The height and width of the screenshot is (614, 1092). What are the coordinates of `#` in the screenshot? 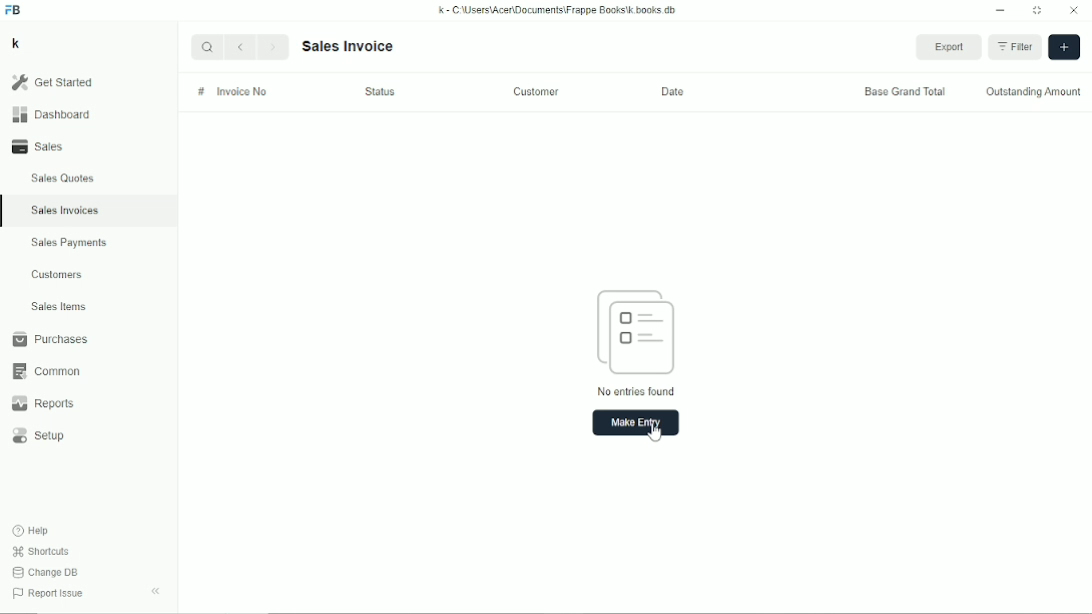 It's located at (202, 91).